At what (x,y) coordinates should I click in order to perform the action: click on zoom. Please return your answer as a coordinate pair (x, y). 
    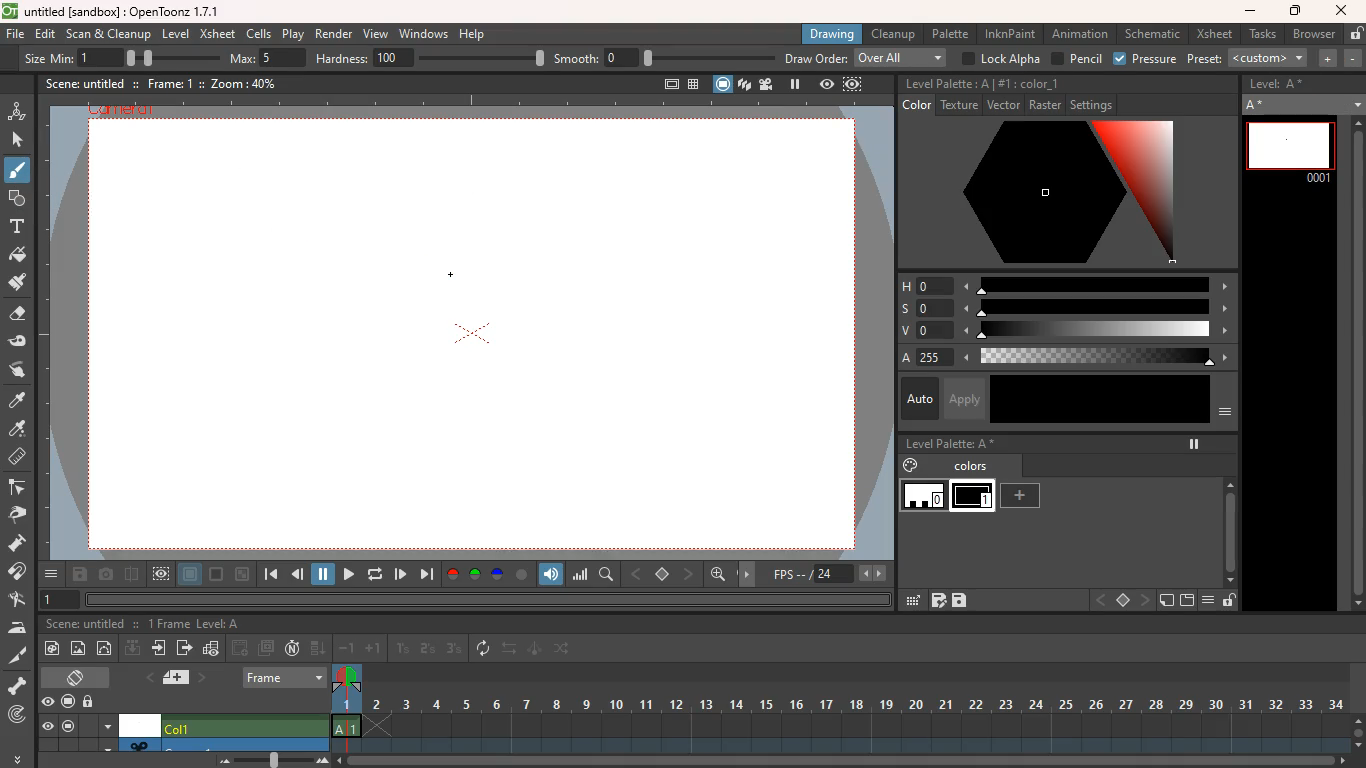
    Looking at the image, I should click on (844, 761).